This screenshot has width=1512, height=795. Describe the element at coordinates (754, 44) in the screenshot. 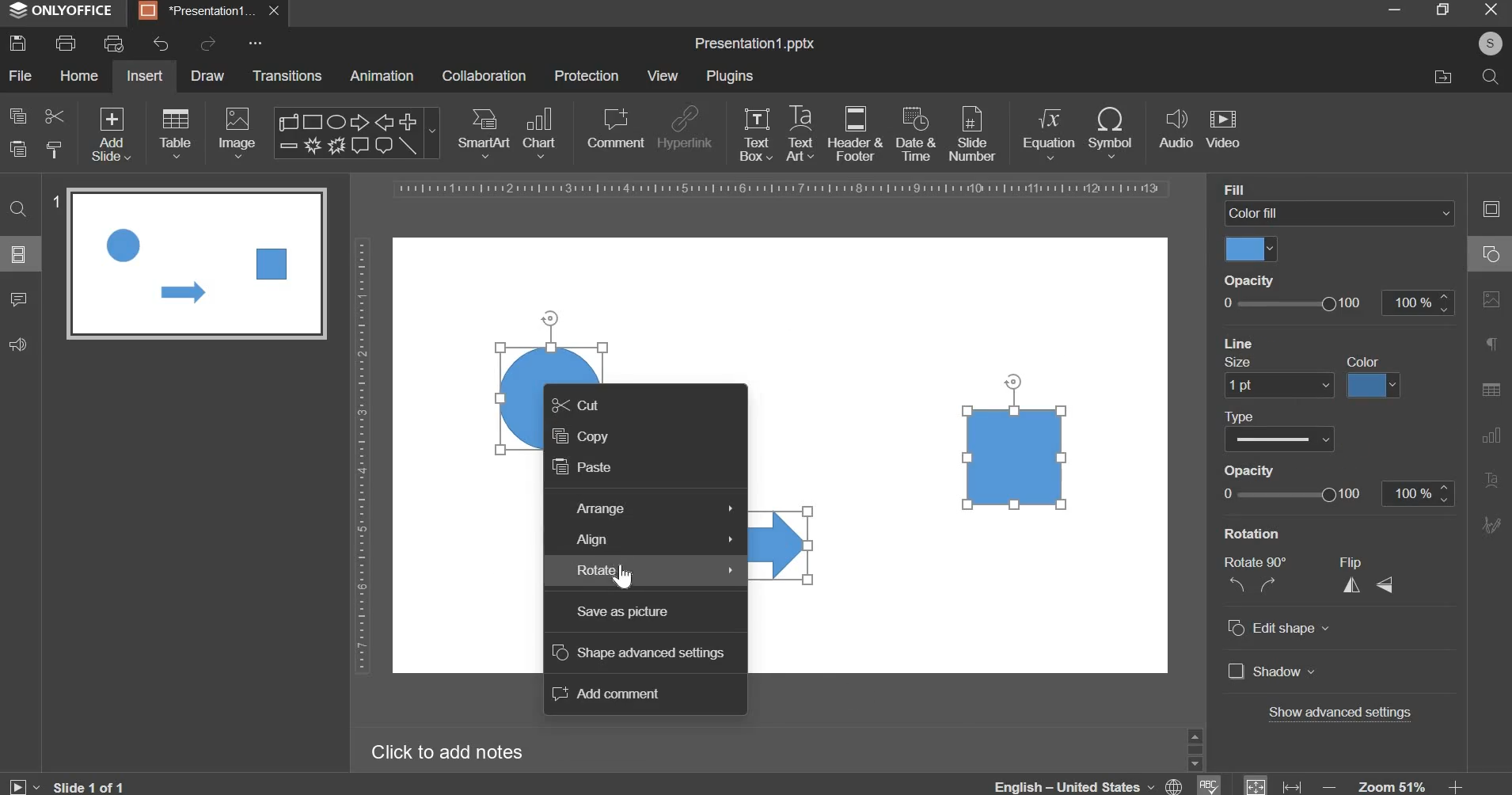

I see `Presentation1.pptx` at that location.